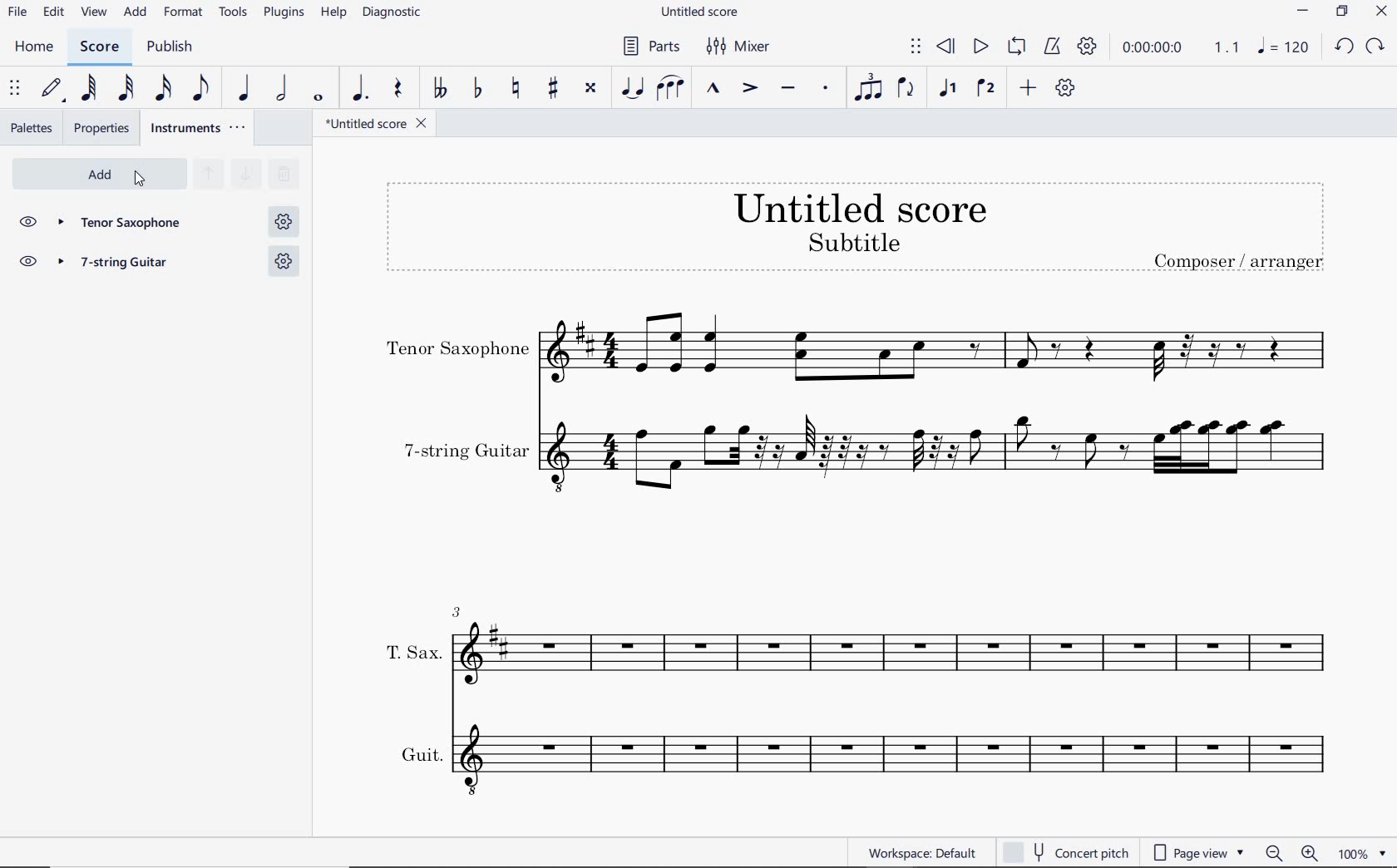  What do you see at coordinates (555, 90) in the screenshot?
I see `TOGGLE SHARP` at bounding box center [555, 90].